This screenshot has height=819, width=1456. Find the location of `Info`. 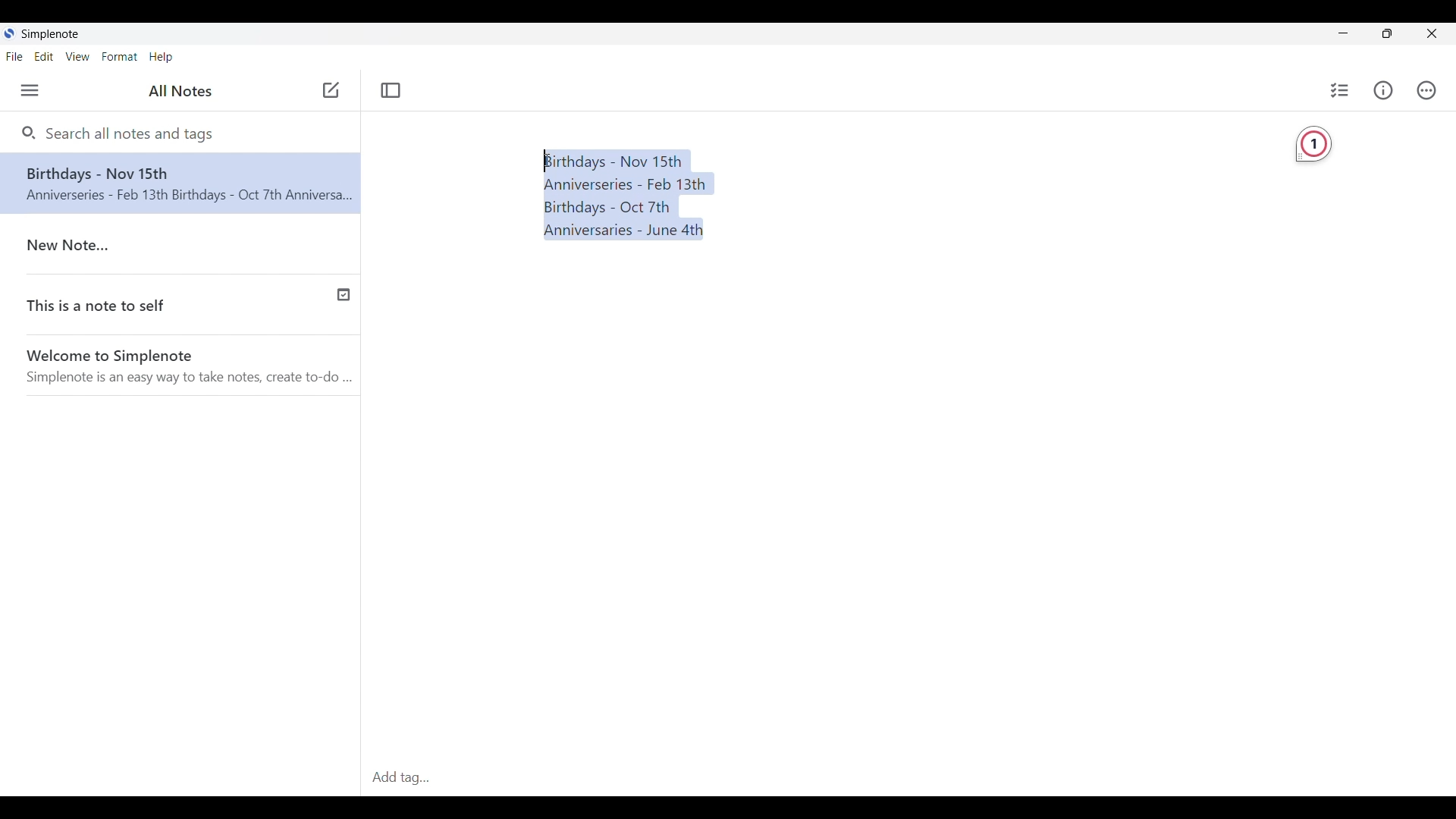

Info is located at coordinates (1383, 89).